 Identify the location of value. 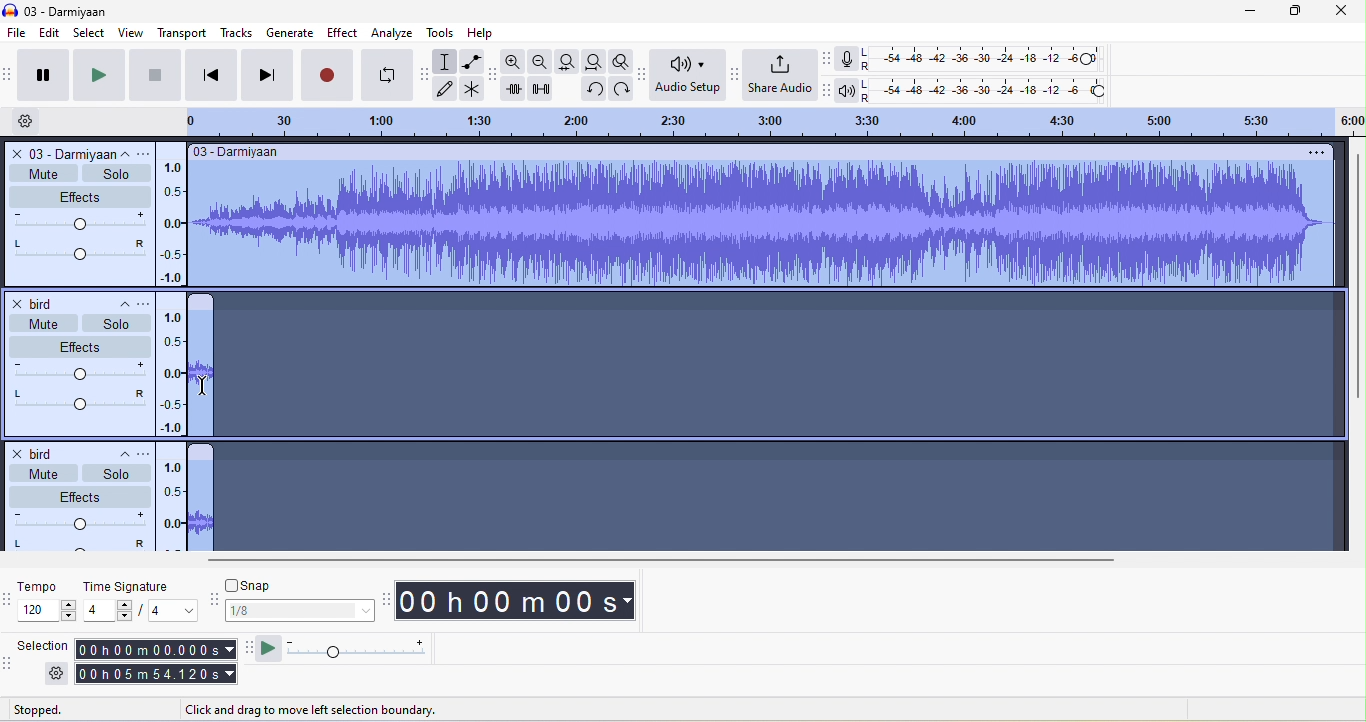
(168, 614).